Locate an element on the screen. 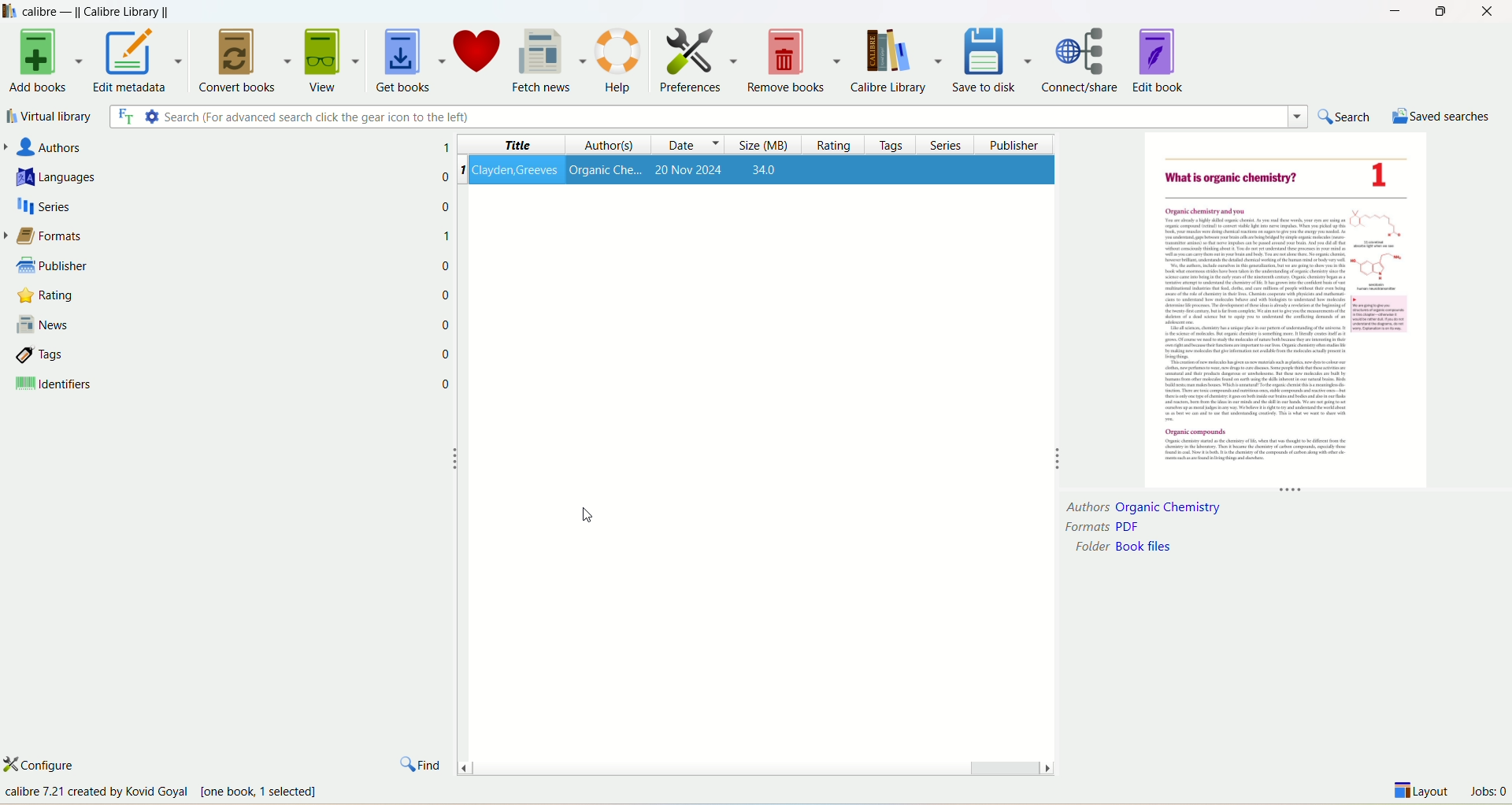  get books is located at coordinates (408, 61).